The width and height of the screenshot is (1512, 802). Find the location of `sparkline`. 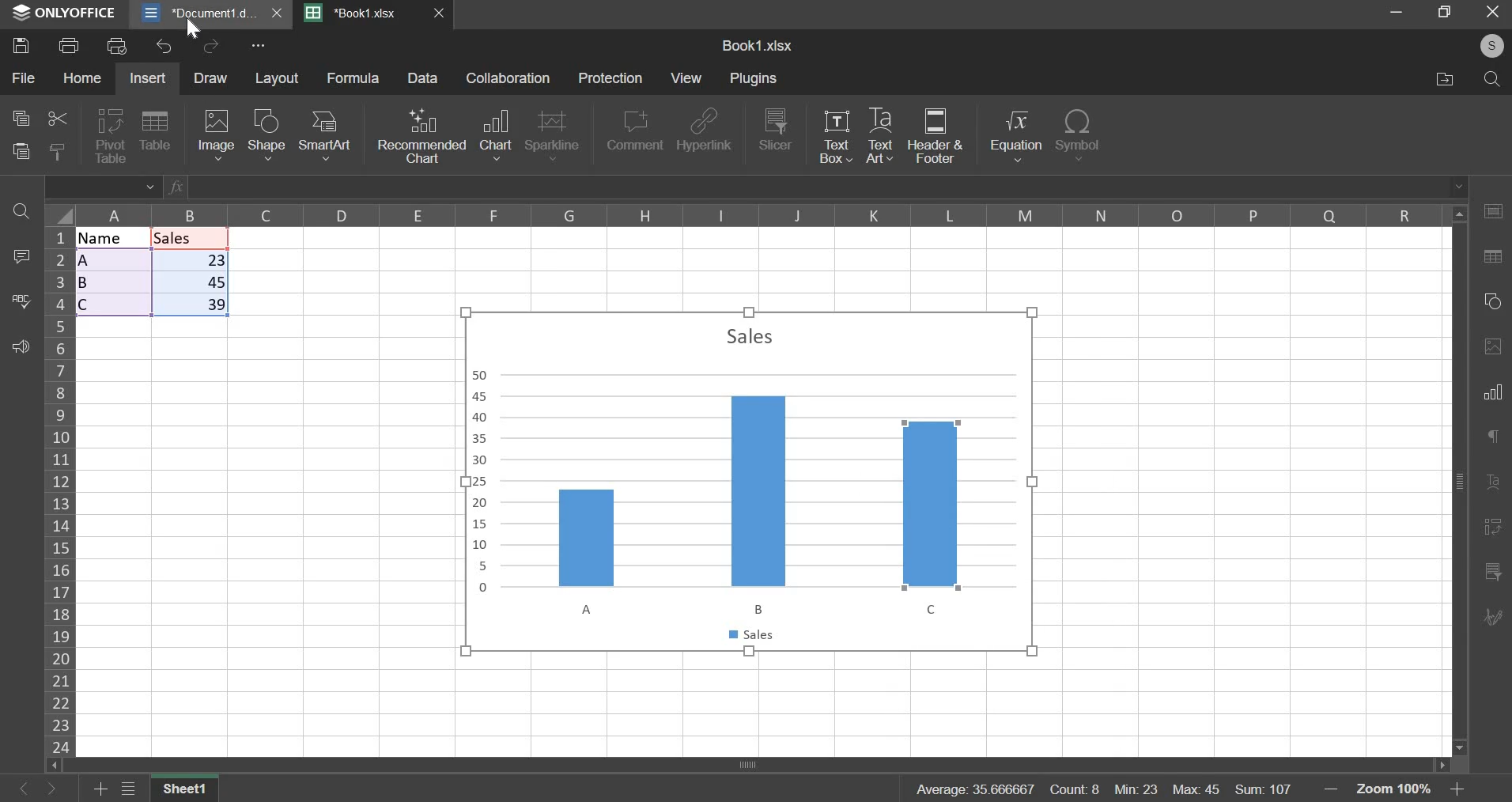

sparkline is located at coordinates (553, 136).